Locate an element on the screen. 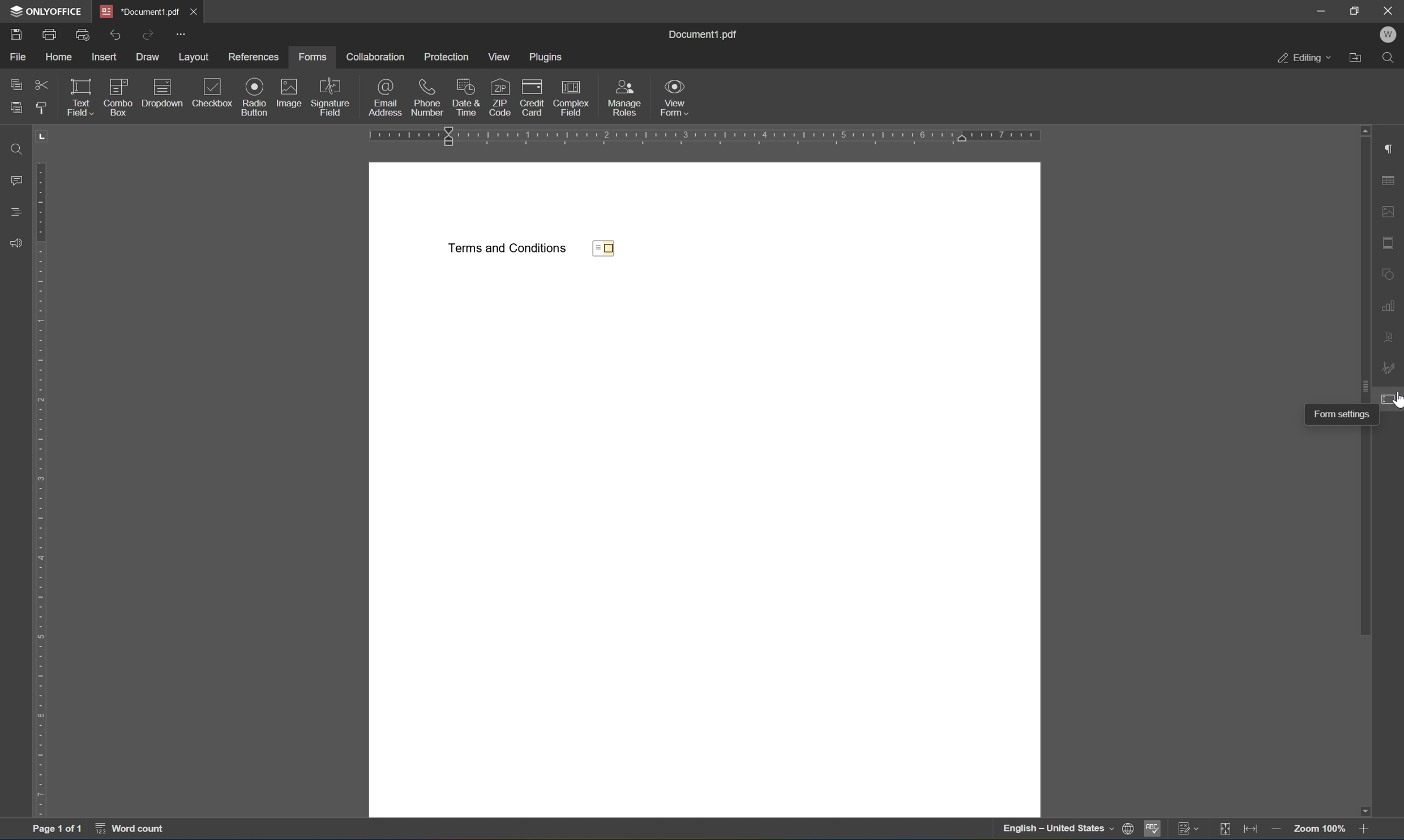  Terms and conditions is located at coordinates (507, 248).